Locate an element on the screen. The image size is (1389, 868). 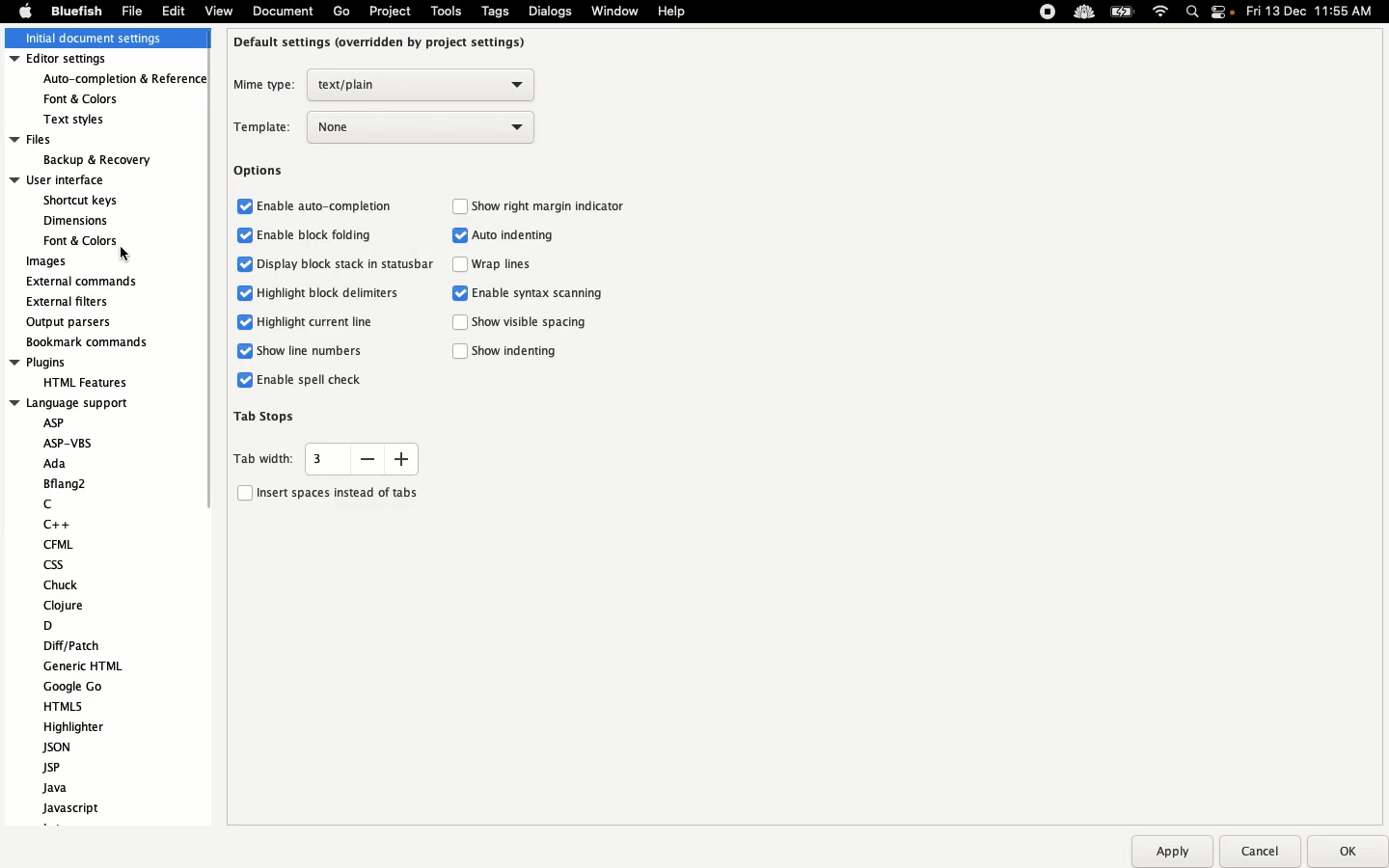
Ok is located at coordinates (1344, 851).